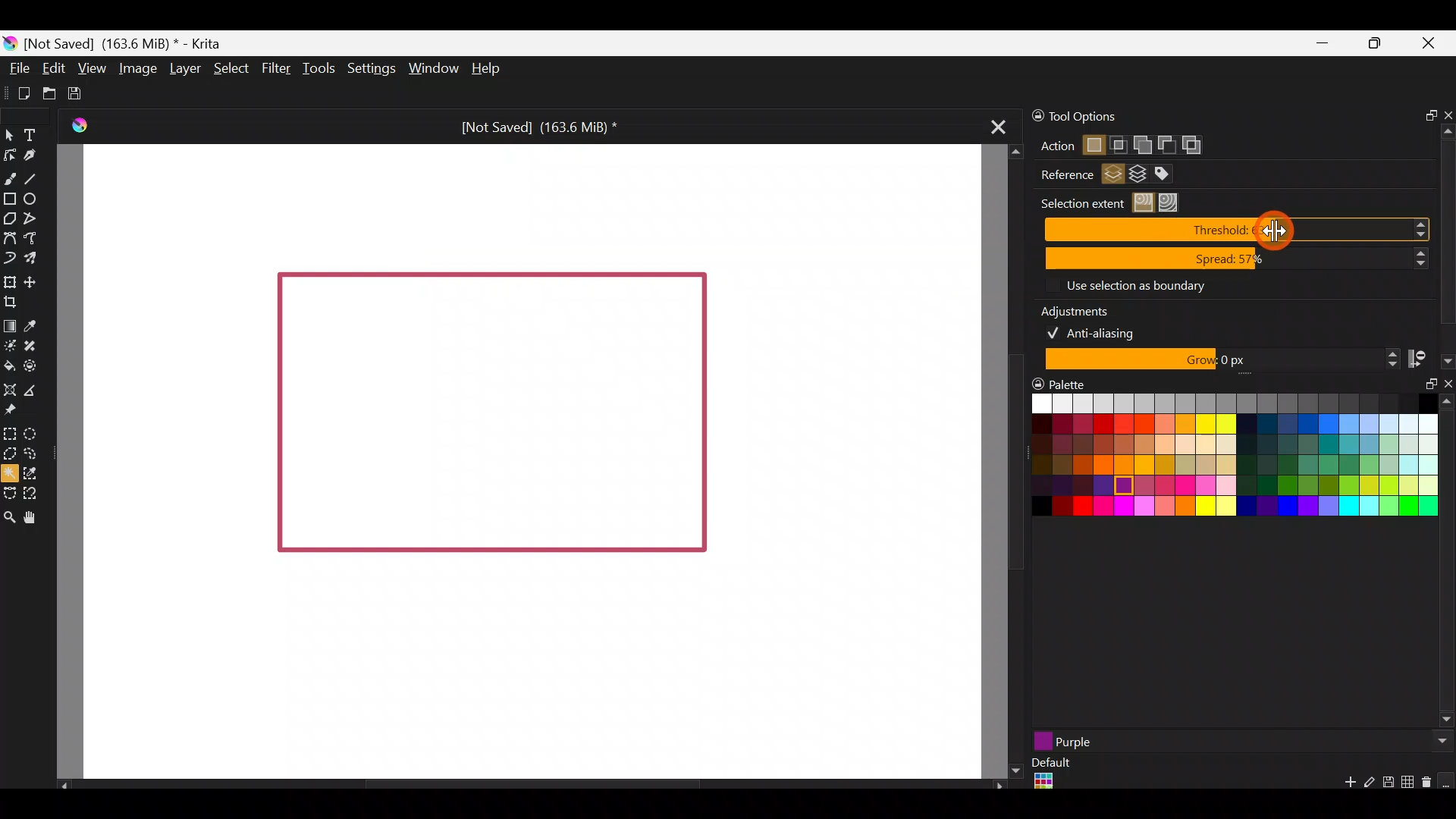  I want to click on Lock the current palette, so click(1447, 781).